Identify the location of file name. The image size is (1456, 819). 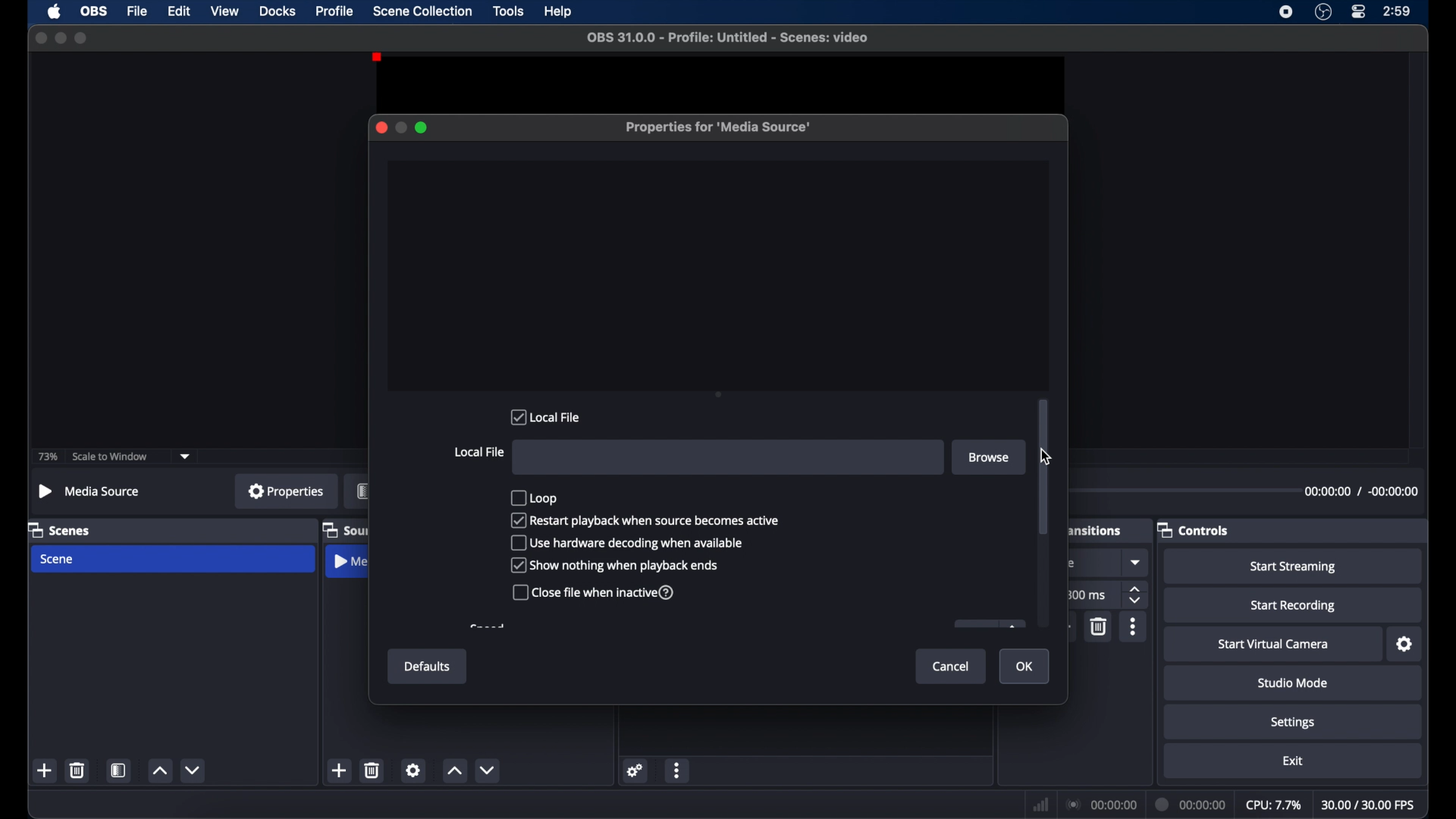
(729, 38).